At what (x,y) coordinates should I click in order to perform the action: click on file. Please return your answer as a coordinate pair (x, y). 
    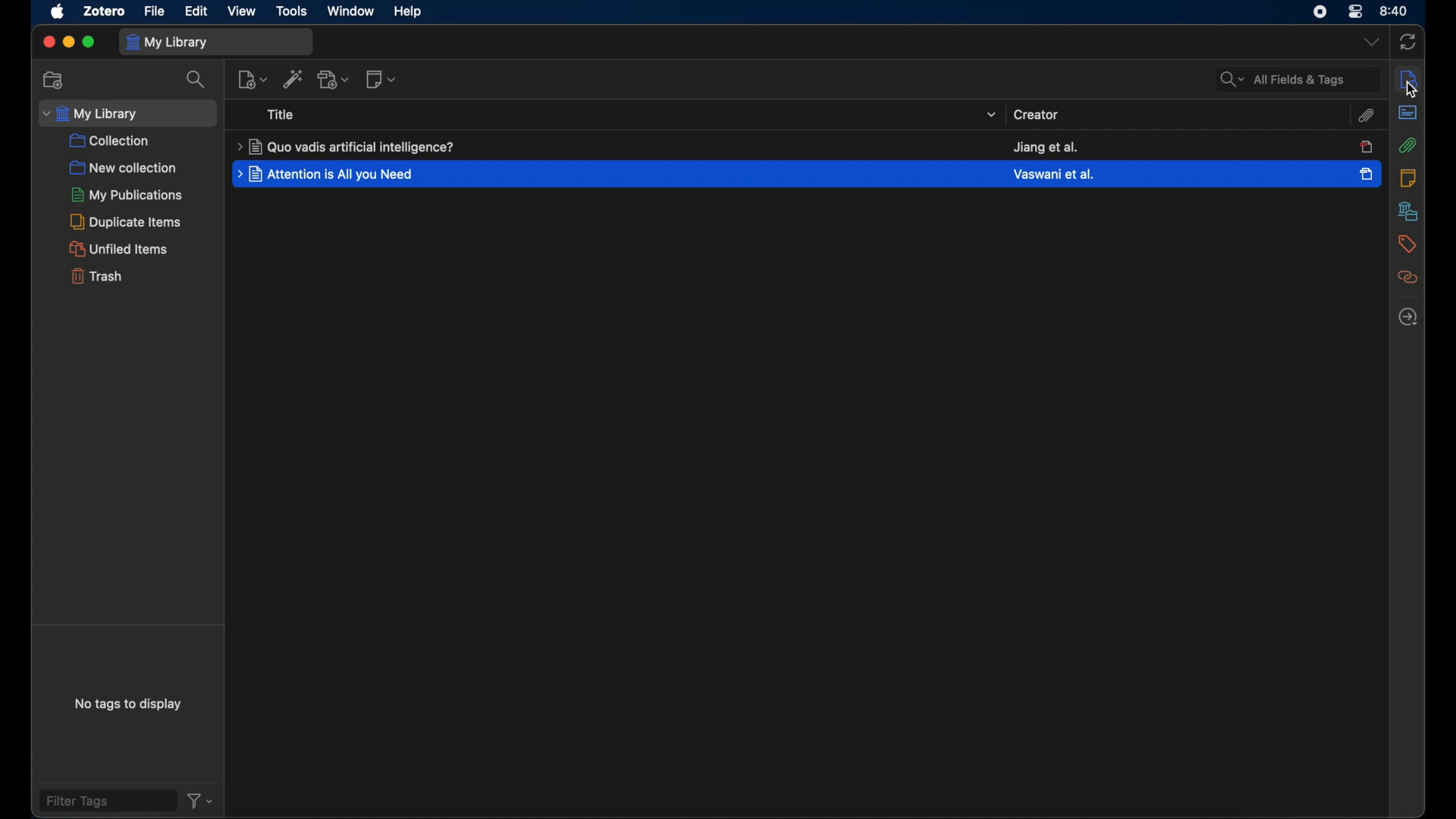
    Looking at the image, I should click on (154, 11).